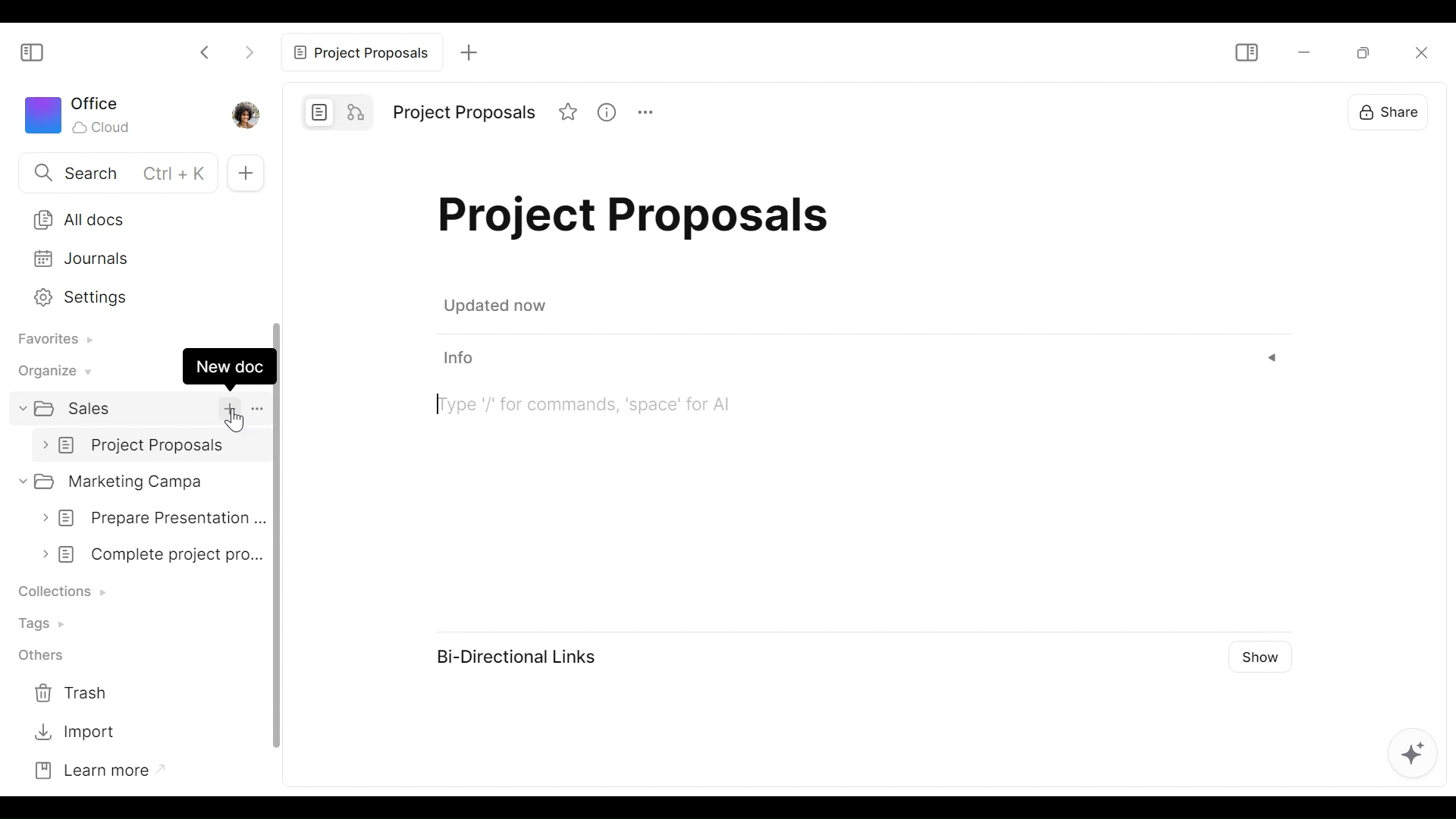  I want to click on Workspace, so click(81, 115).